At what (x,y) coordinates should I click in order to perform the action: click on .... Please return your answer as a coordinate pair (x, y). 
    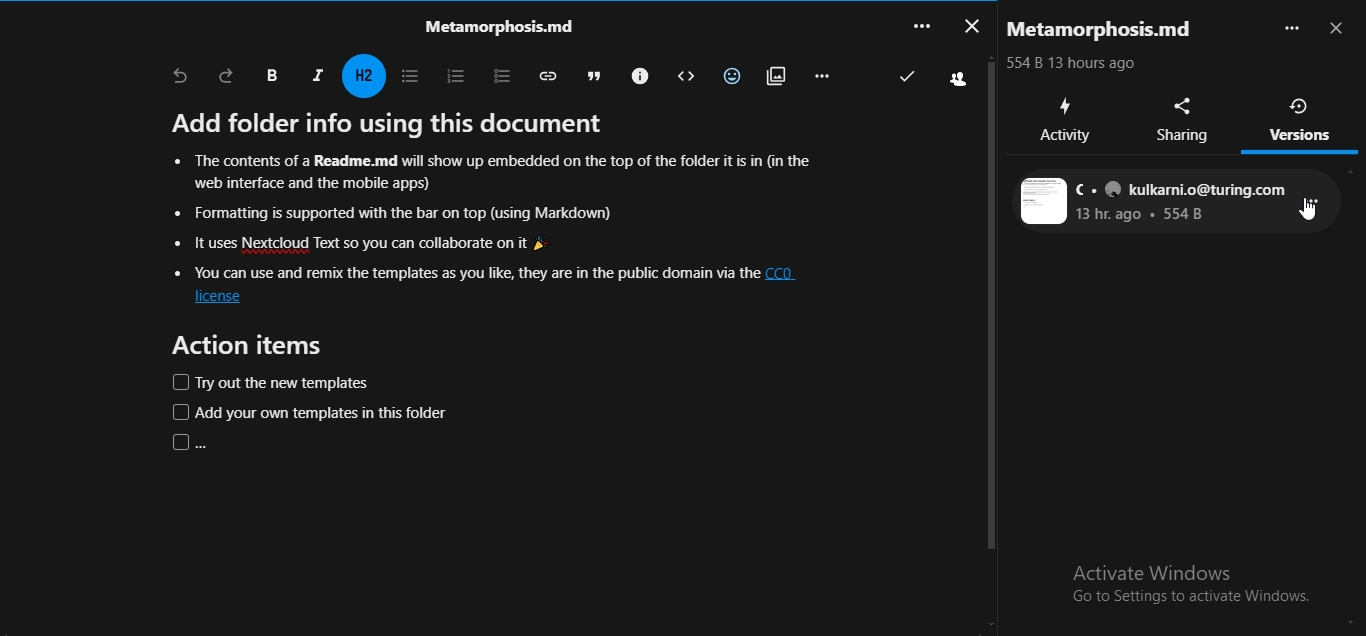
    Looking at the image, I should click on (920, 25).